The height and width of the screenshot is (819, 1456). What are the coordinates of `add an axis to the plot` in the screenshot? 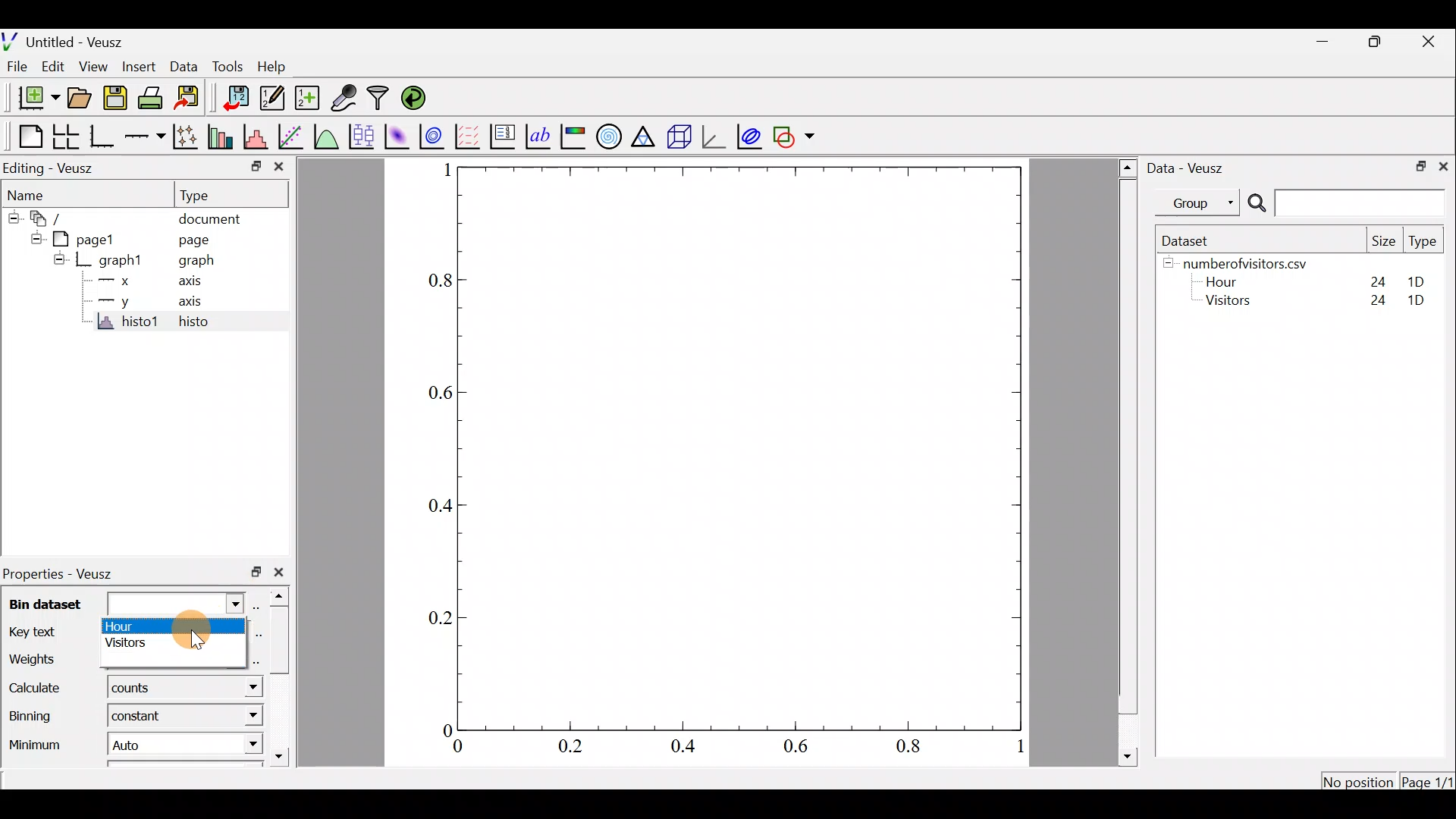 It's located at (146, 135).